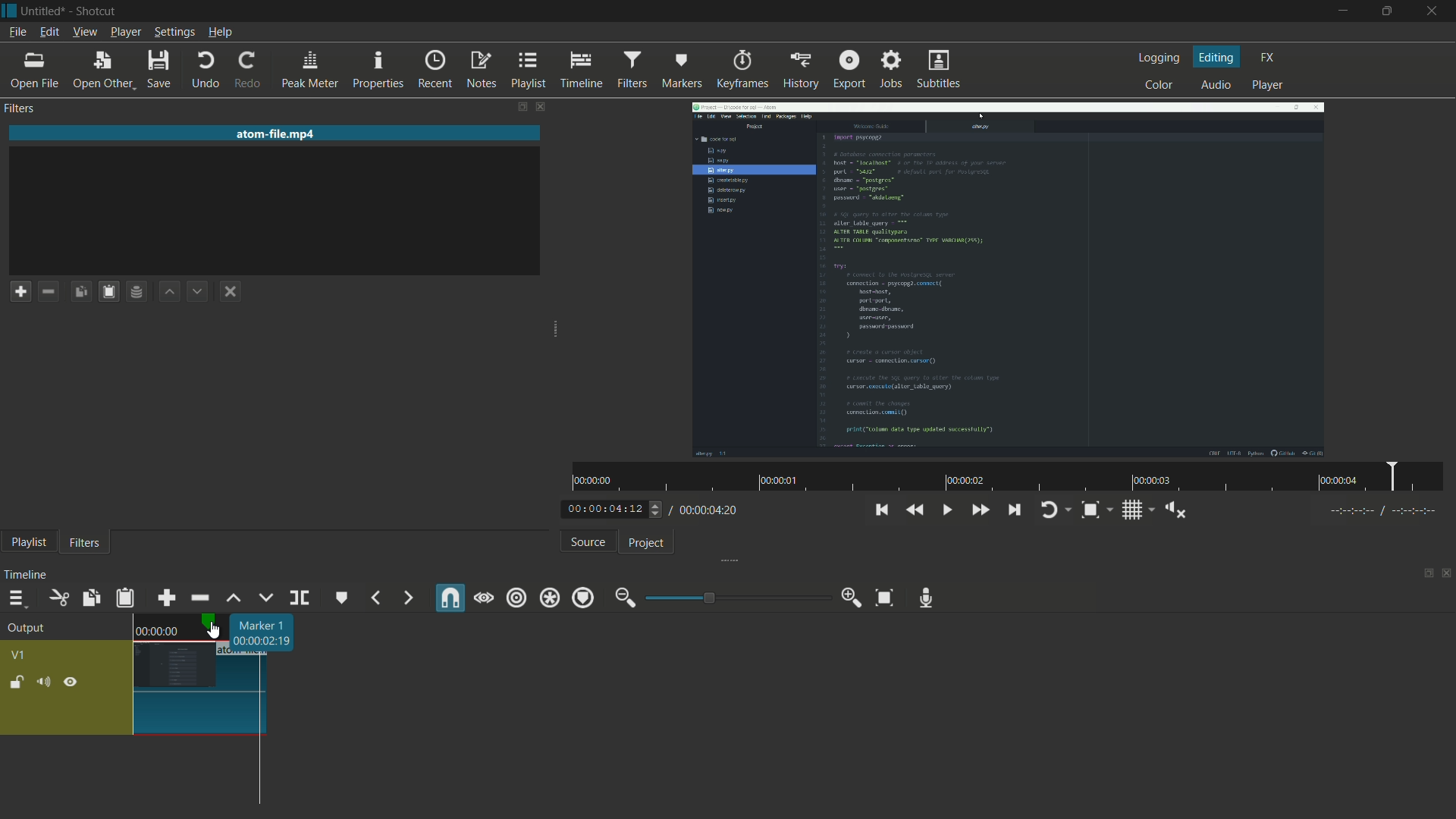  Describe the element at coordinates (301, 597) in the screenshot. I see `split at playhead` at that location.